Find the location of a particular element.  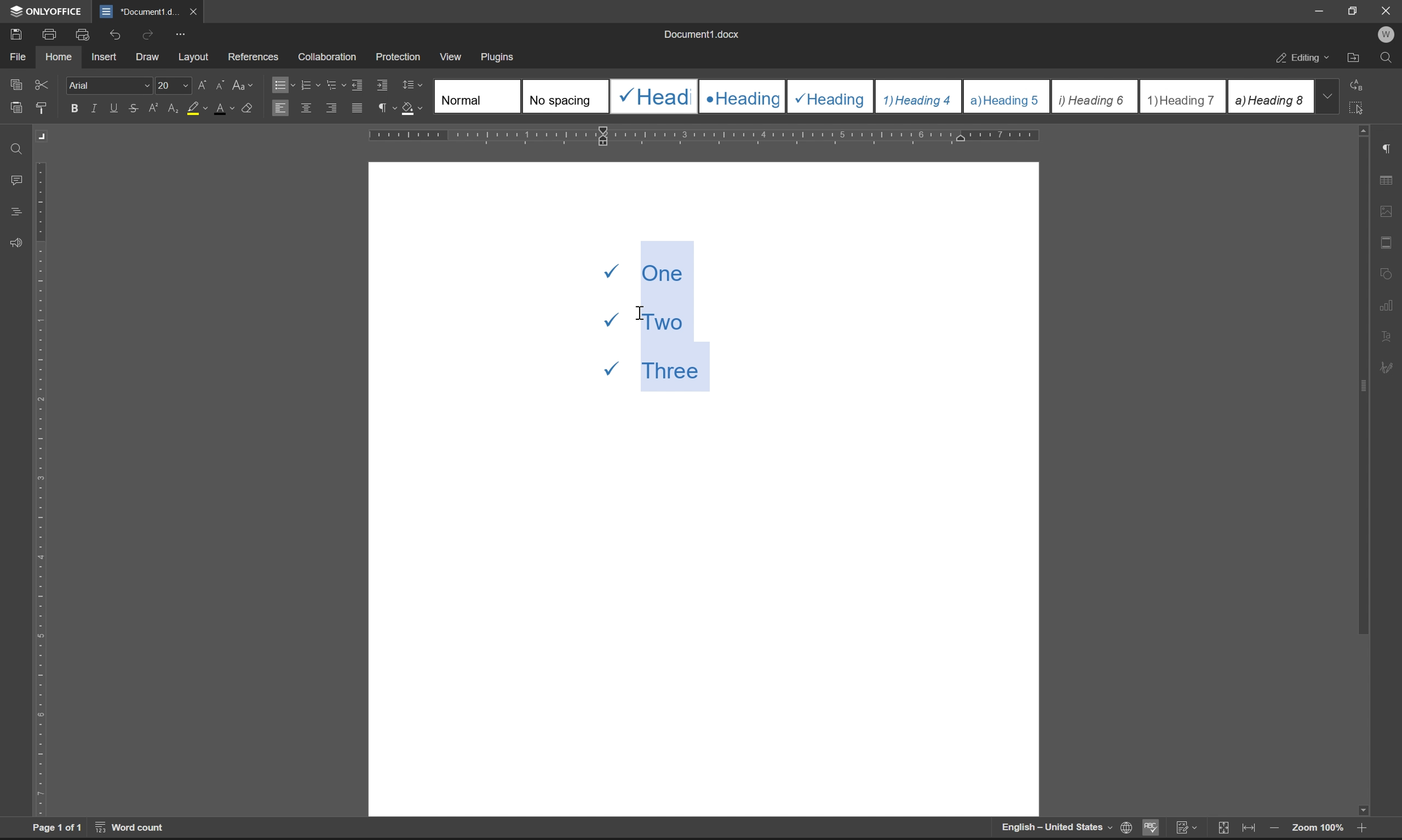

decrease indent is located at coordinates (360, 84).